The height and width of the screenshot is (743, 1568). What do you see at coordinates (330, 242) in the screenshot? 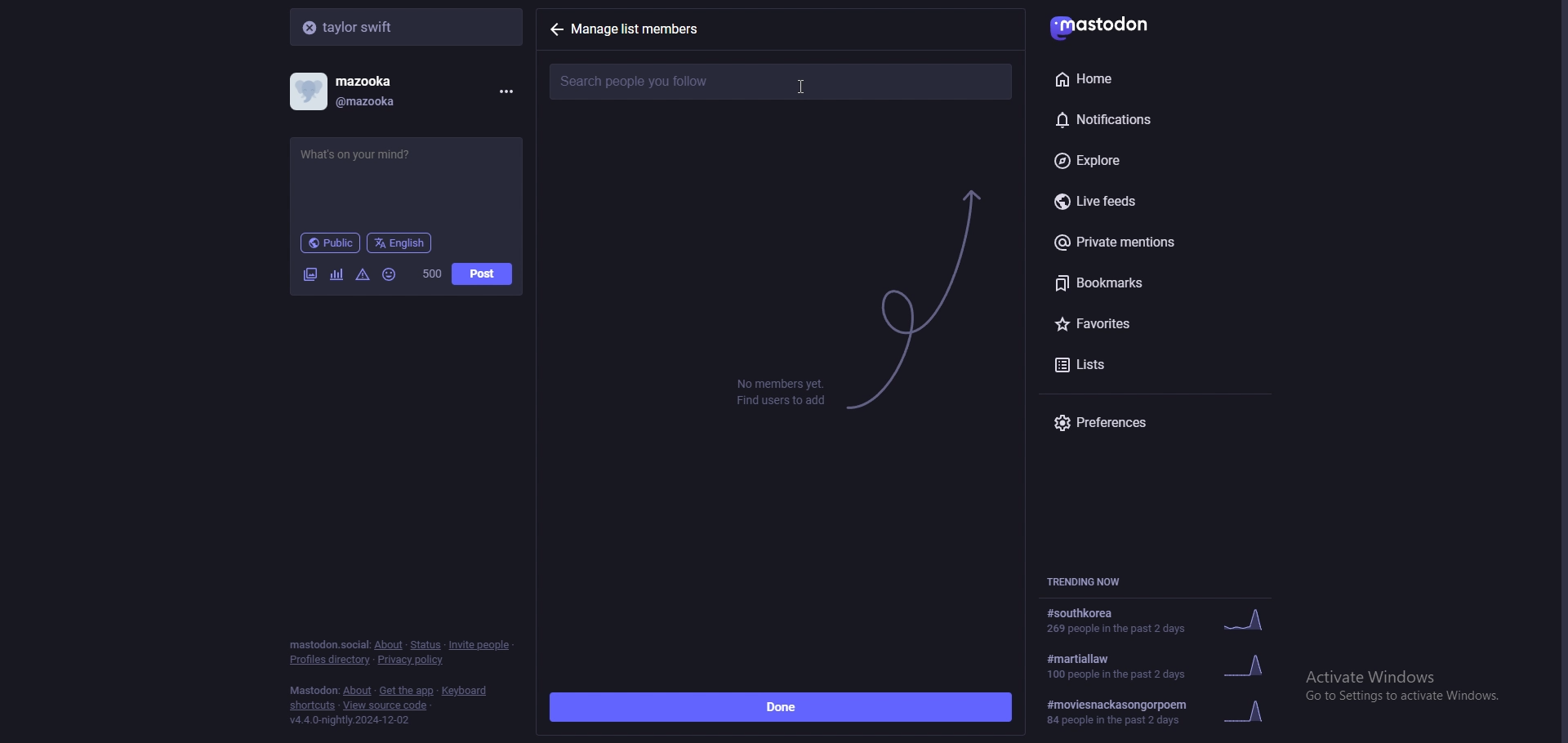
I see `audience` at bounding box center [330, 242].